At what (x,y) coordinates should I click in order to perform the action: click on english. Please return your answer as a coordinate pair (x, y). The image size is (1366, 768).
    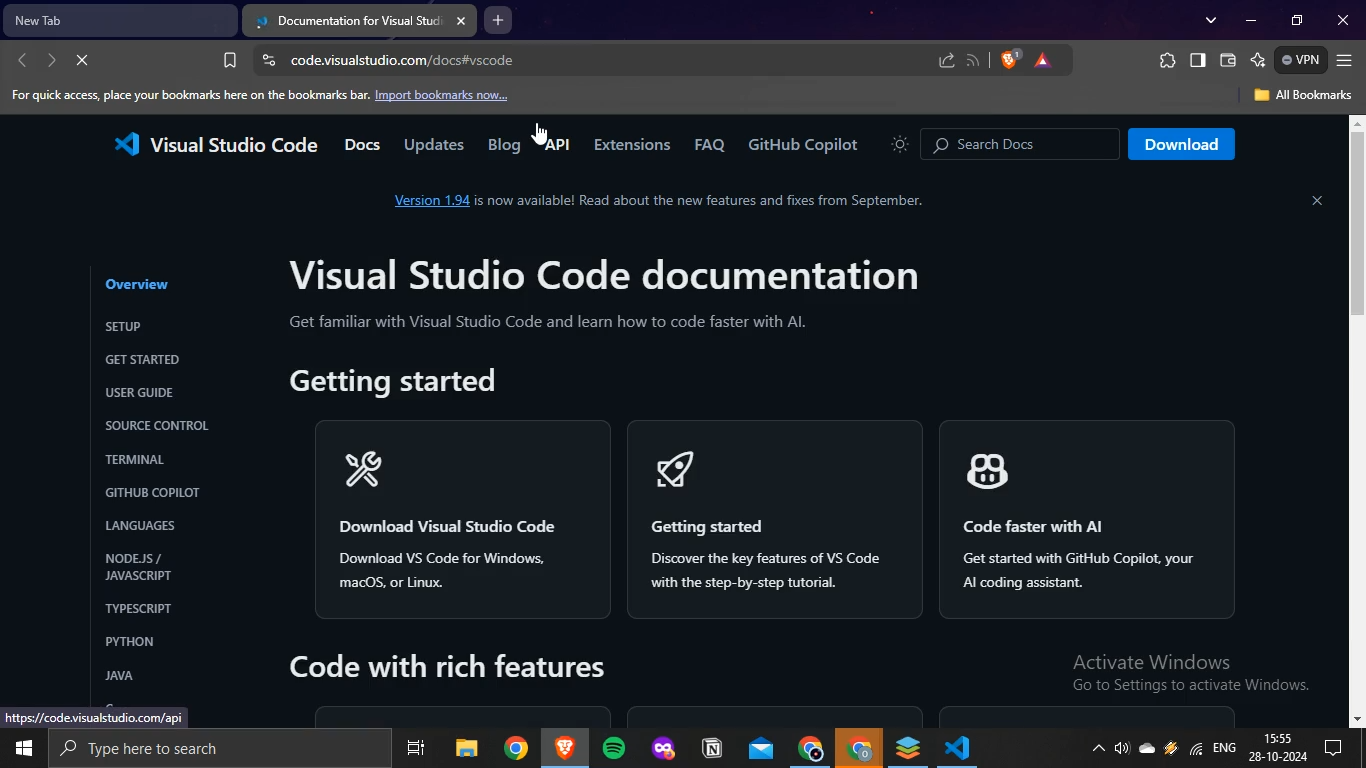
    Looking at the image, I should click on (1225, 747).